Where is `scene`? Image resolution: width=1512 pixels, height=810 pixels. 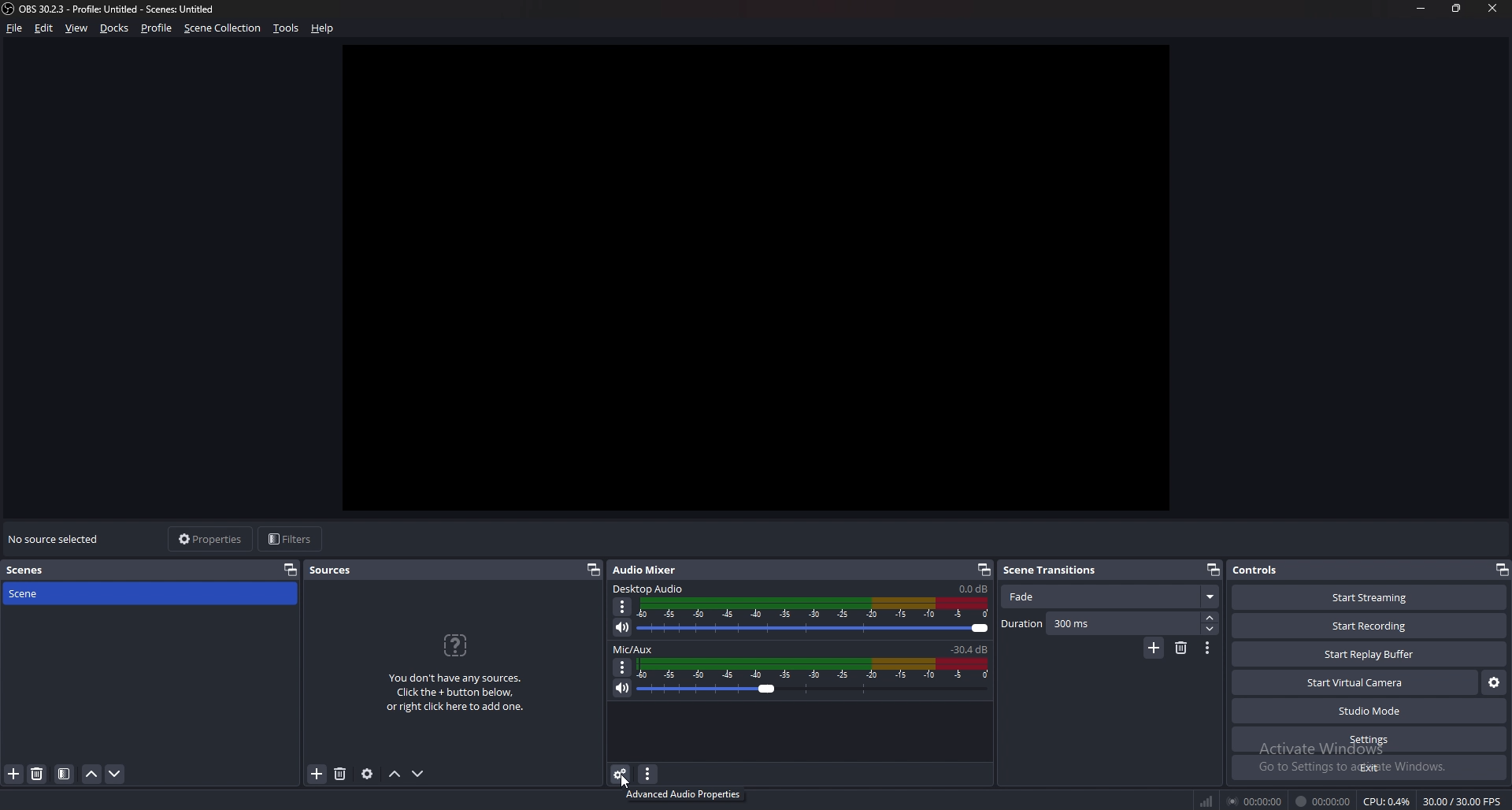 scene is located at coordinates (31, 593).